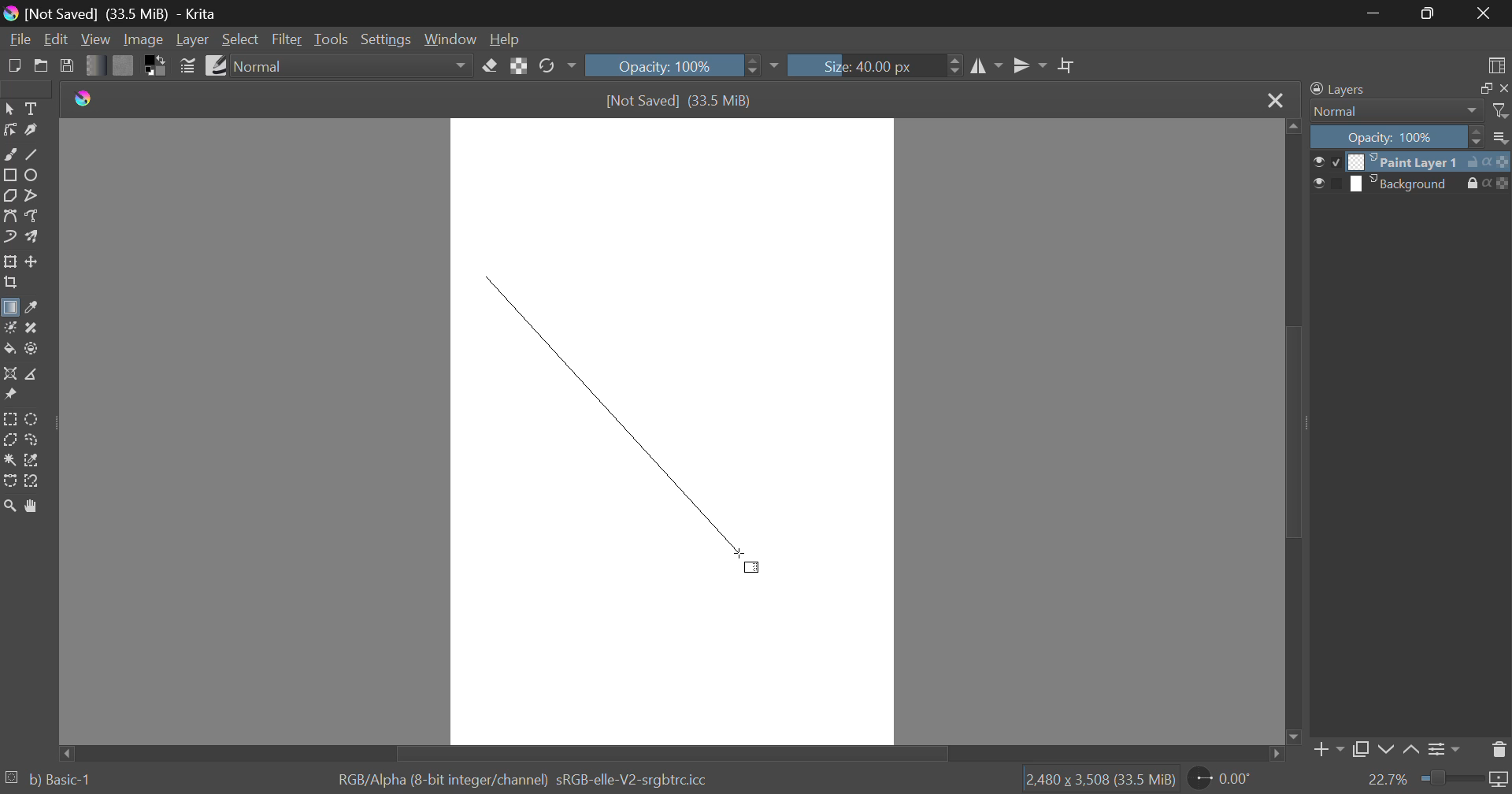  What do you see at coordinates (518, 66) in the screenshot?
I see `Lock Alpha` at bounding box center [518, 66].